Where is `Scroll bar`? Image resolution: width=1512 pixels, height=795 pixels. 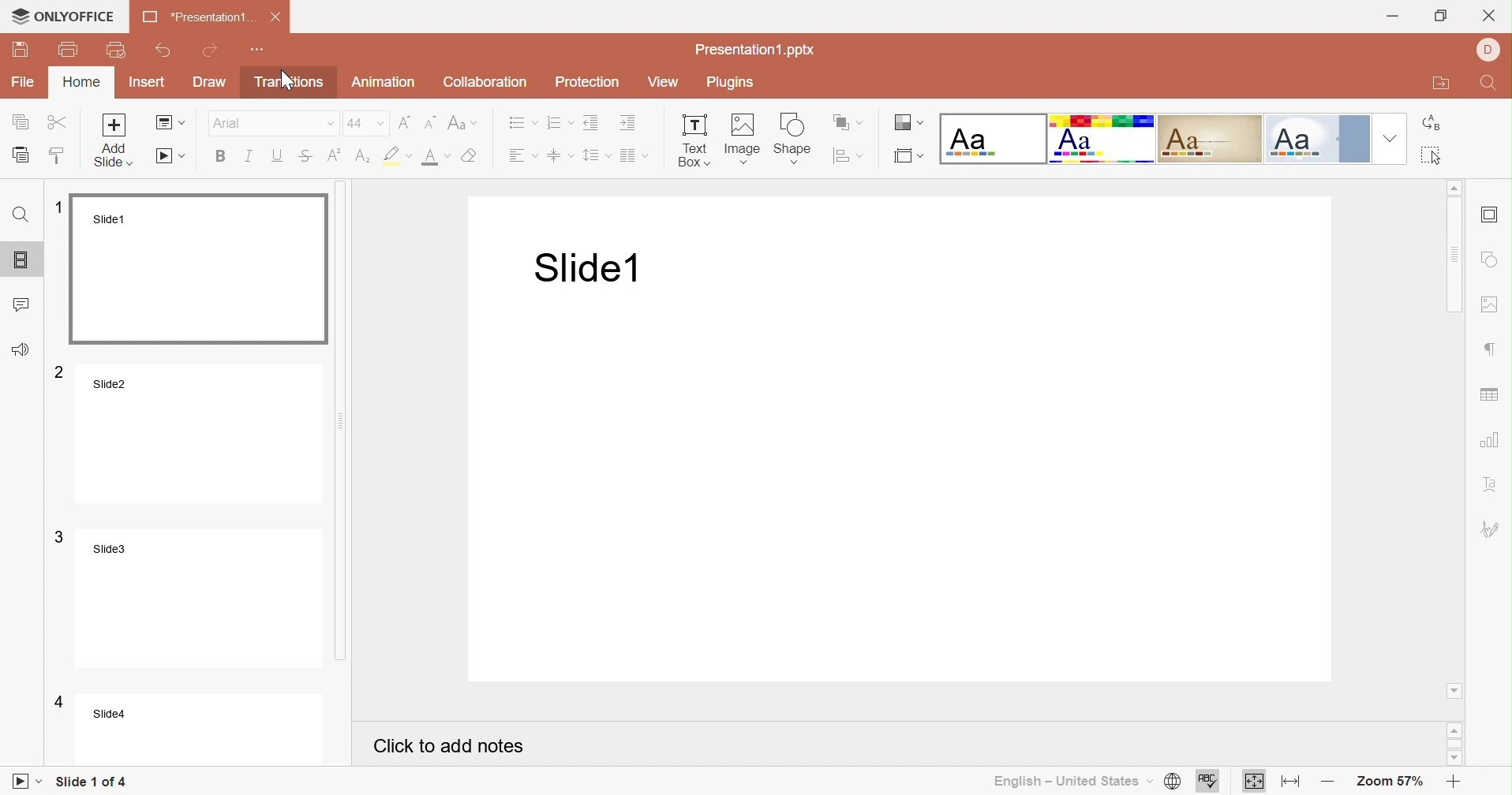
Scroll bar is located at coordinates (1454, 746).